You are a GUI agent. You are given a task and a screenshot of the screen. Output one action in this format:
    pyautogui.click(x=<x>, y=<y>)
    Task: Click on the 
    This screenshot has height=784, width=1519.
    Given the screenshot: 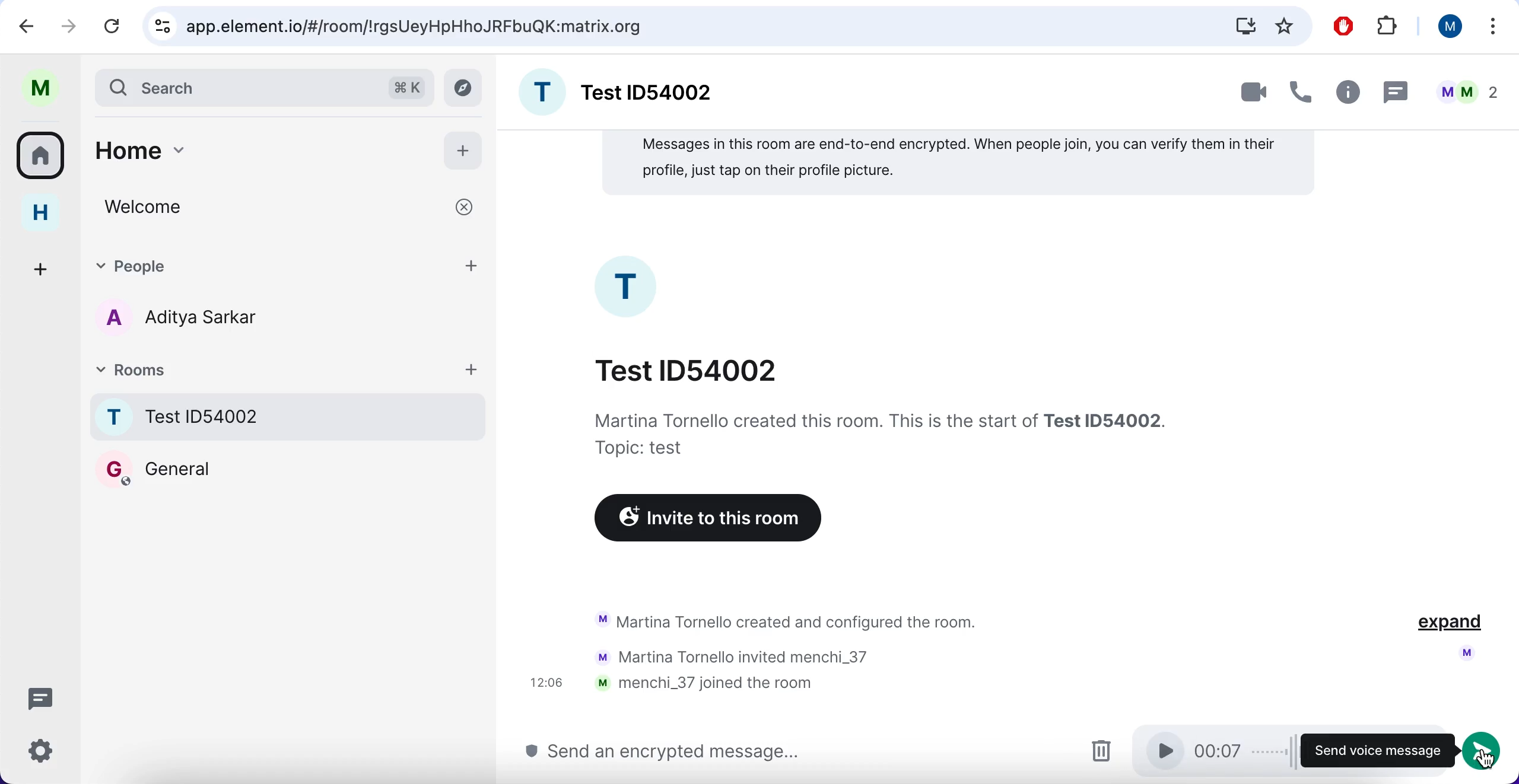 What is the action you would take?
    pyautogui.click(x=1346, y=91)
    